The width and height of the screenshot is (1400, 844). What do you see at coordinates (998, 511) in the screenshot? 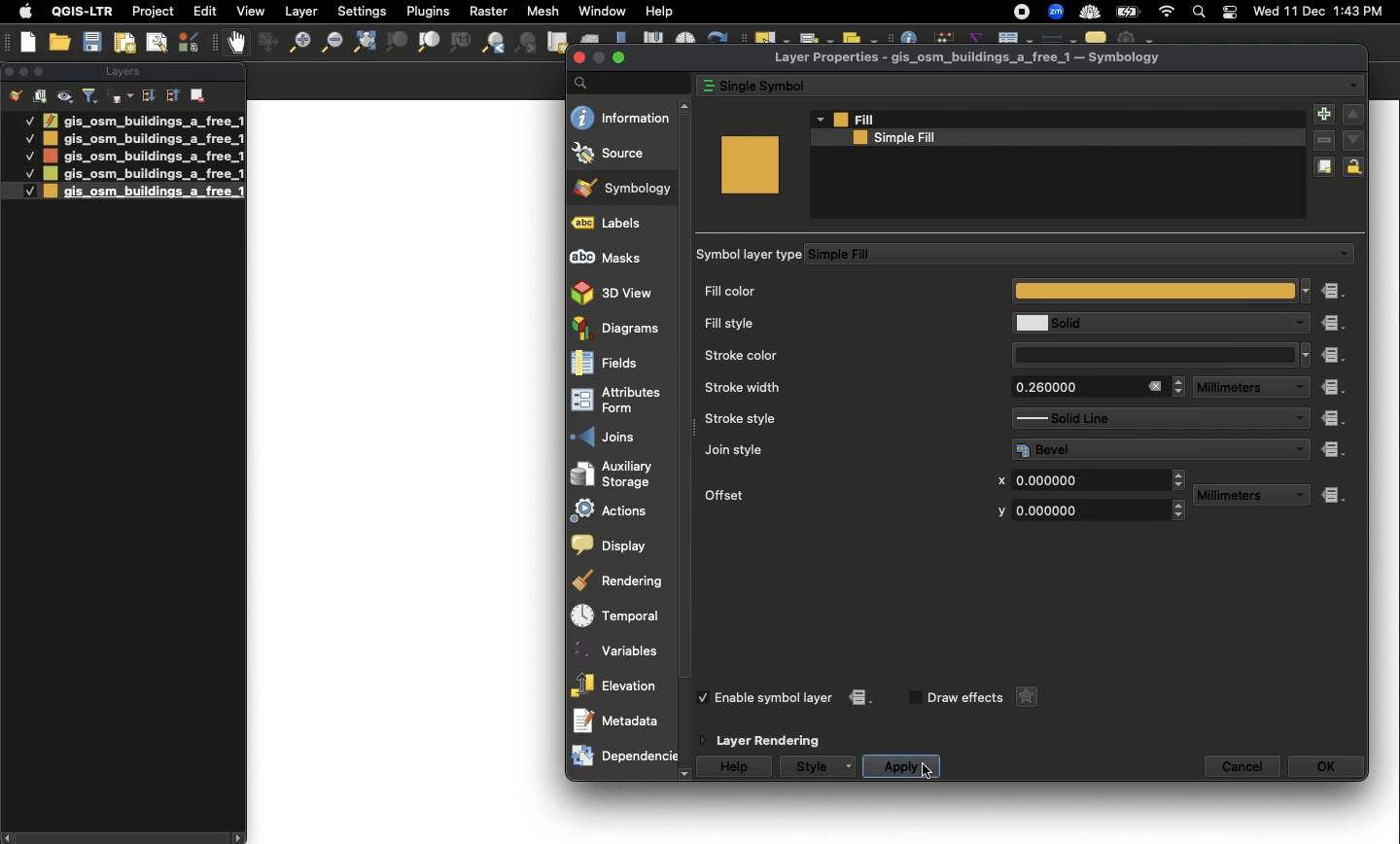
I see `y` at bounding box center [998, 511].